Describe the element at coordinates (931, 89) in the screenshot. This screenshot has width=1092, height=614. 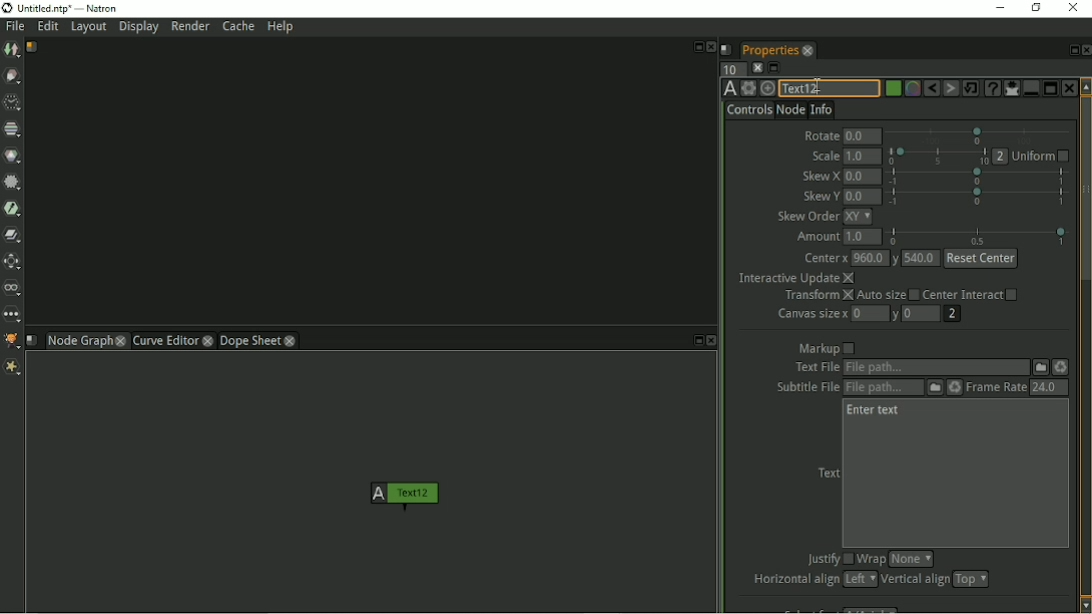
I see `Undo` at that location.